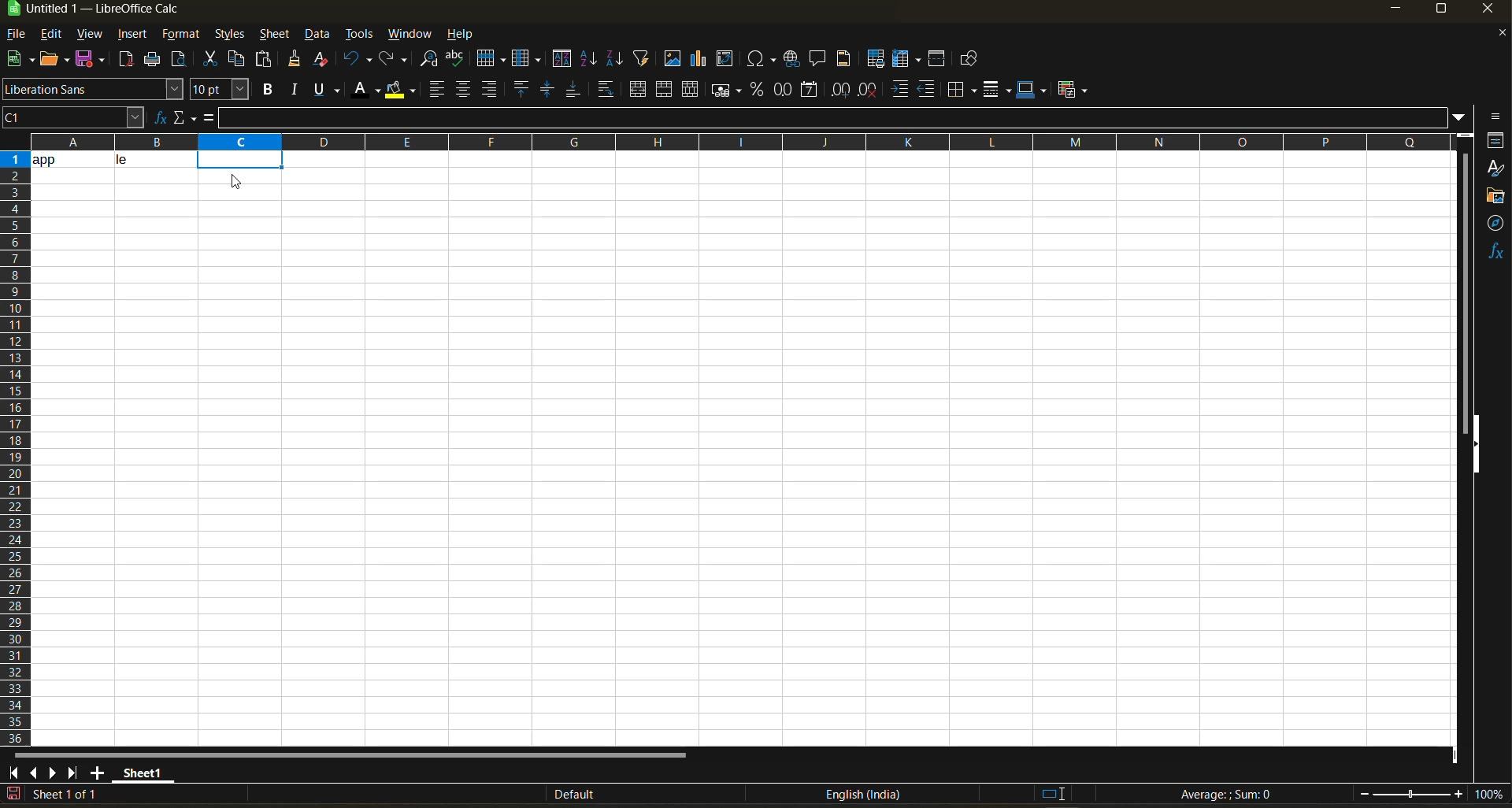 Image resolution: width=1512 pixels, height=808 pixels. I want to click on sheet, so click(274, 34).